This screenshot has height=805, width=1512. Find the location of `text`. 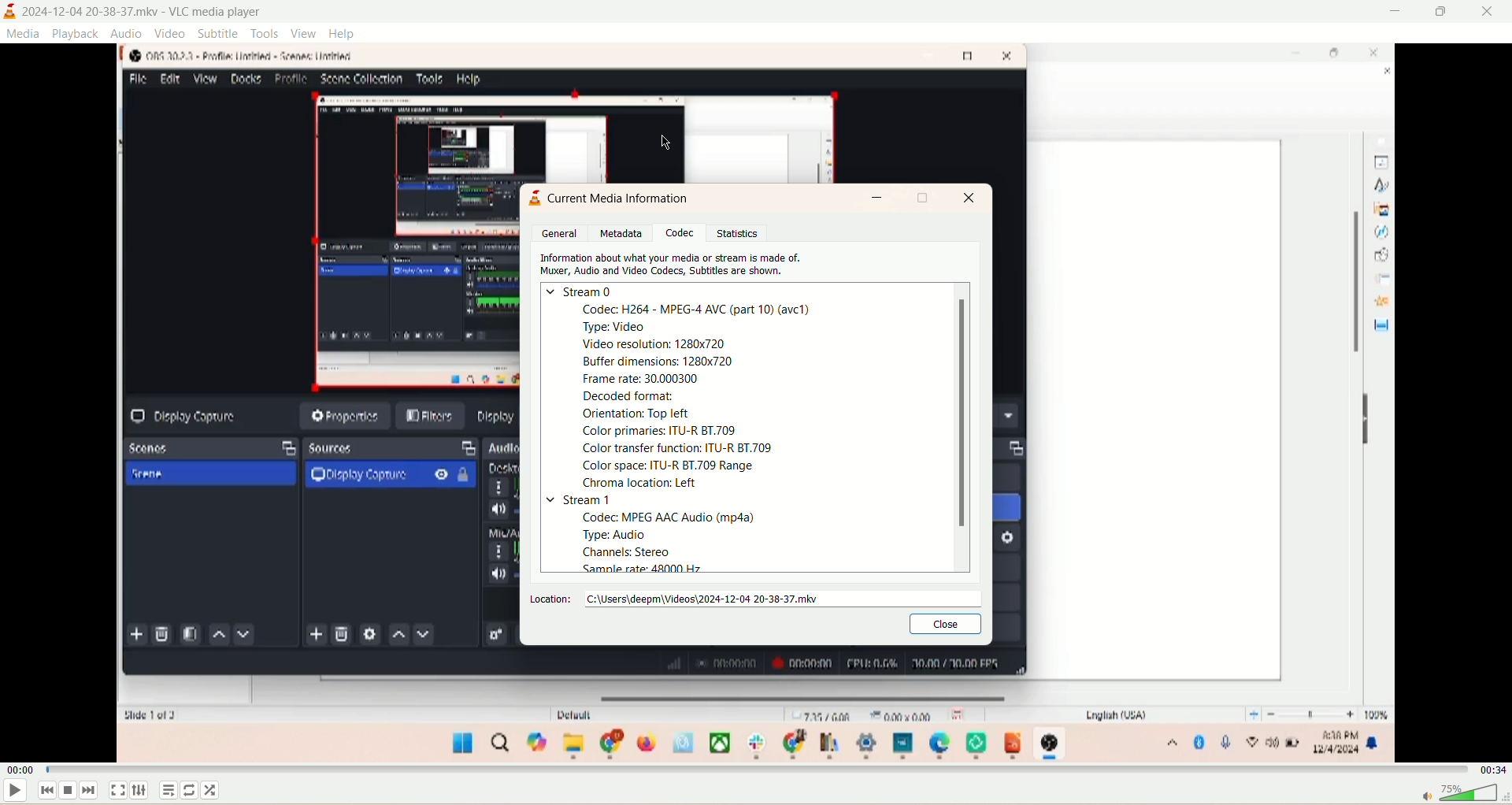

text is located at coordinates (676, 265).